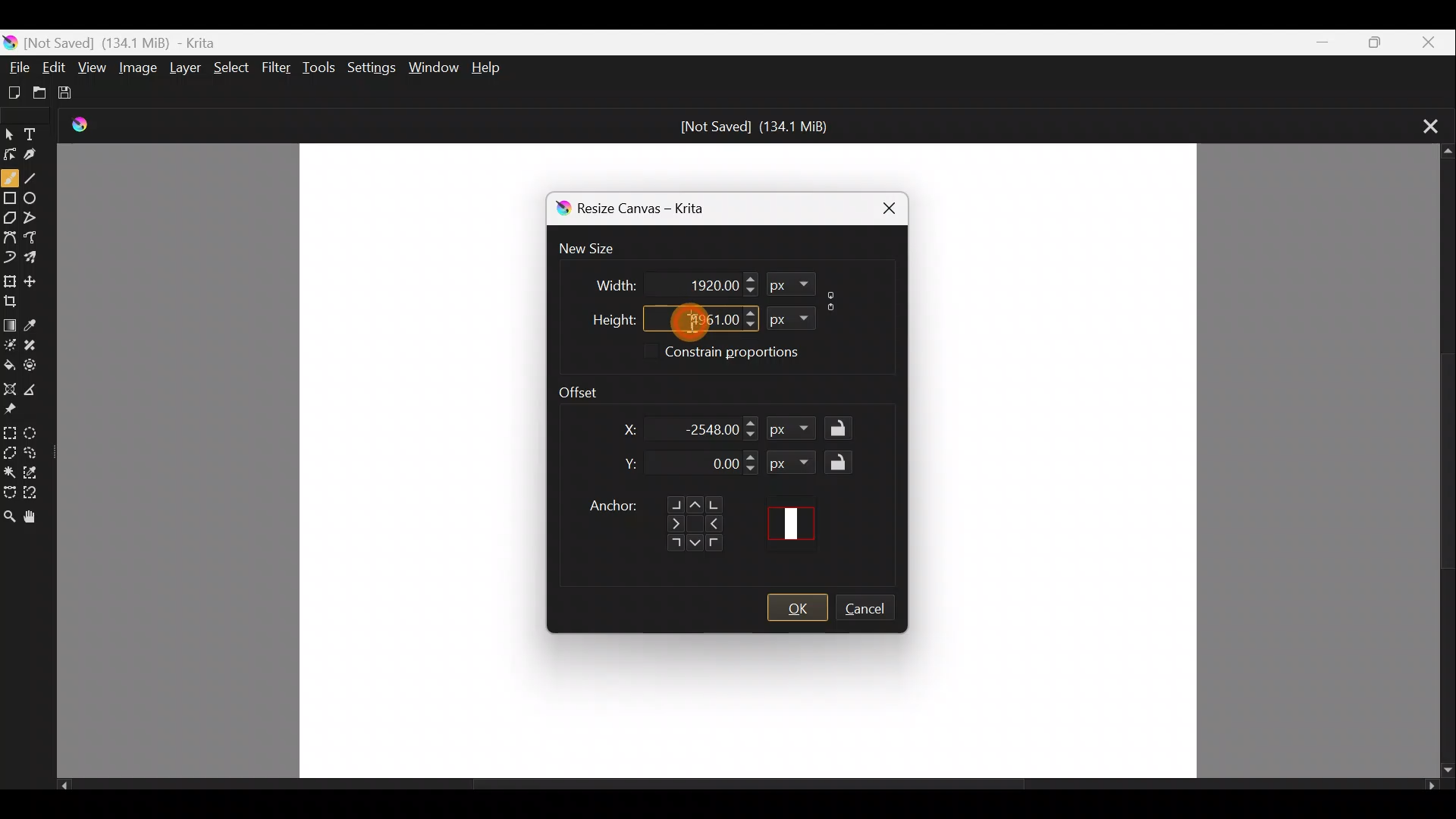 This screenshot has height=819, width=1456. Describe the element at coordinates (35, 196) in the screenshot. I see `Ellipse tool` at that location.